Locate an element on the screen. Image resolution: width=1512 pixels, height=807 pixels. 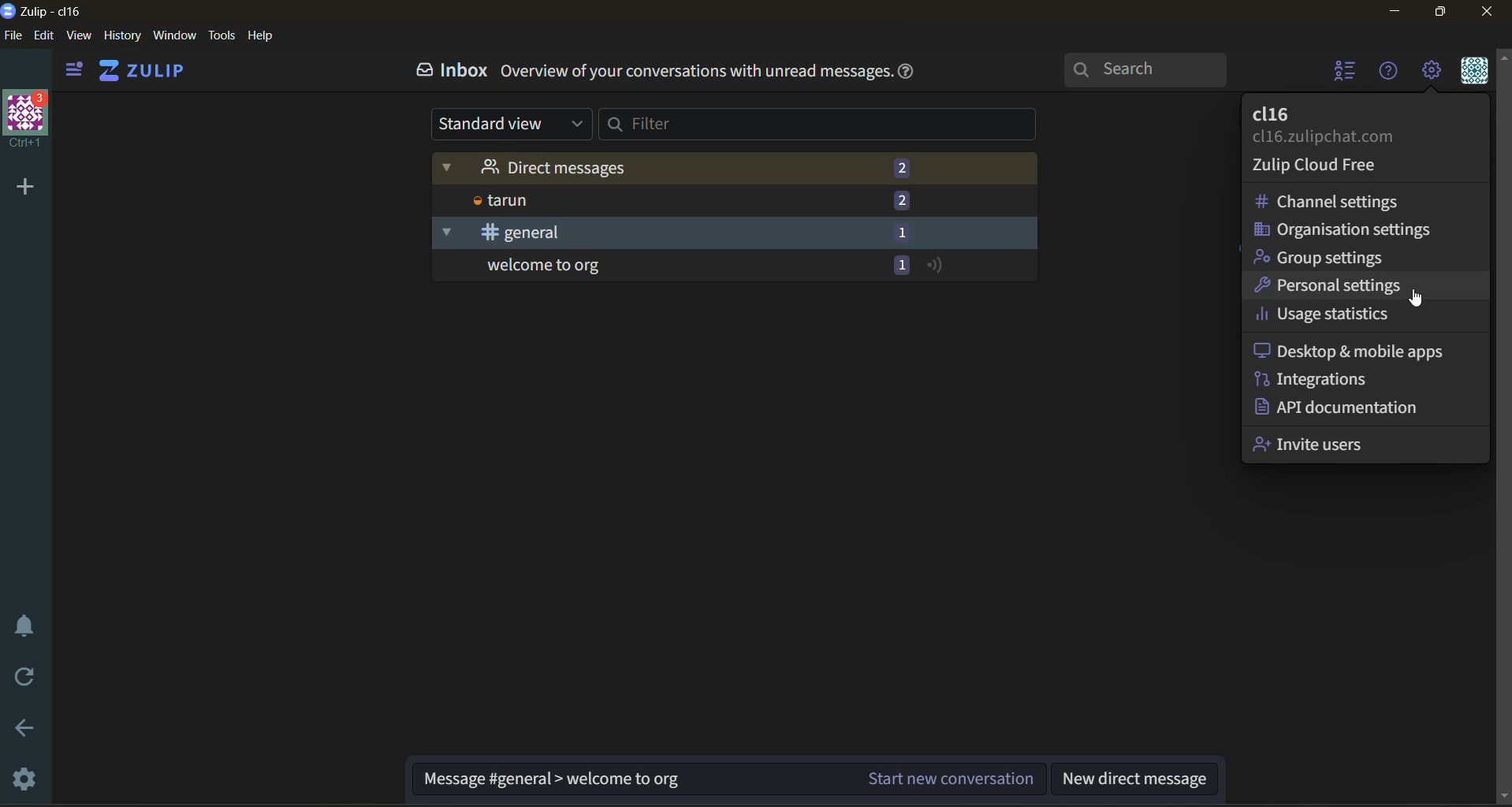
organisation name and app name is located at coordinates (50, 10).